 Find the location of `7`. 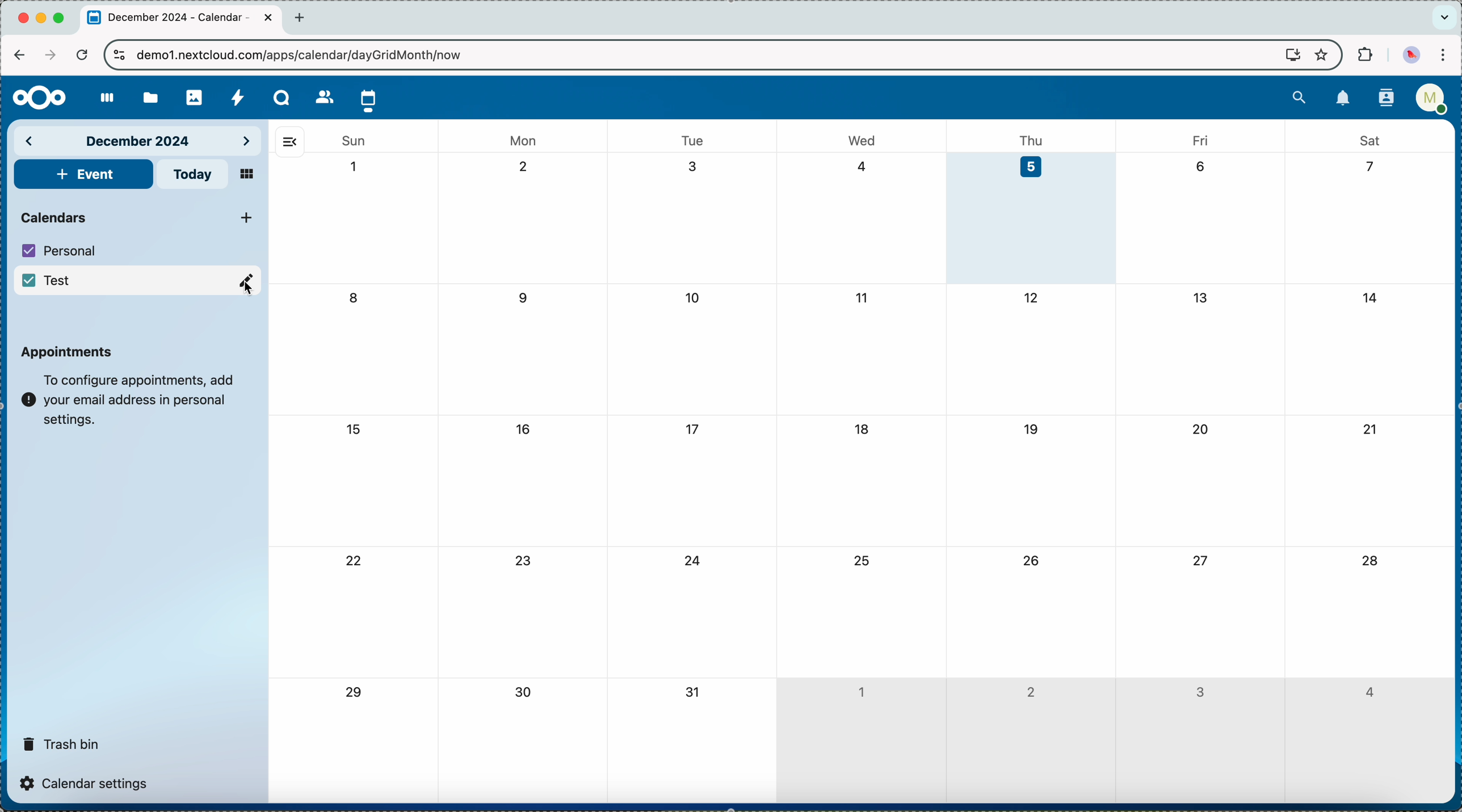

7 is located at coordinates (1365, 167).